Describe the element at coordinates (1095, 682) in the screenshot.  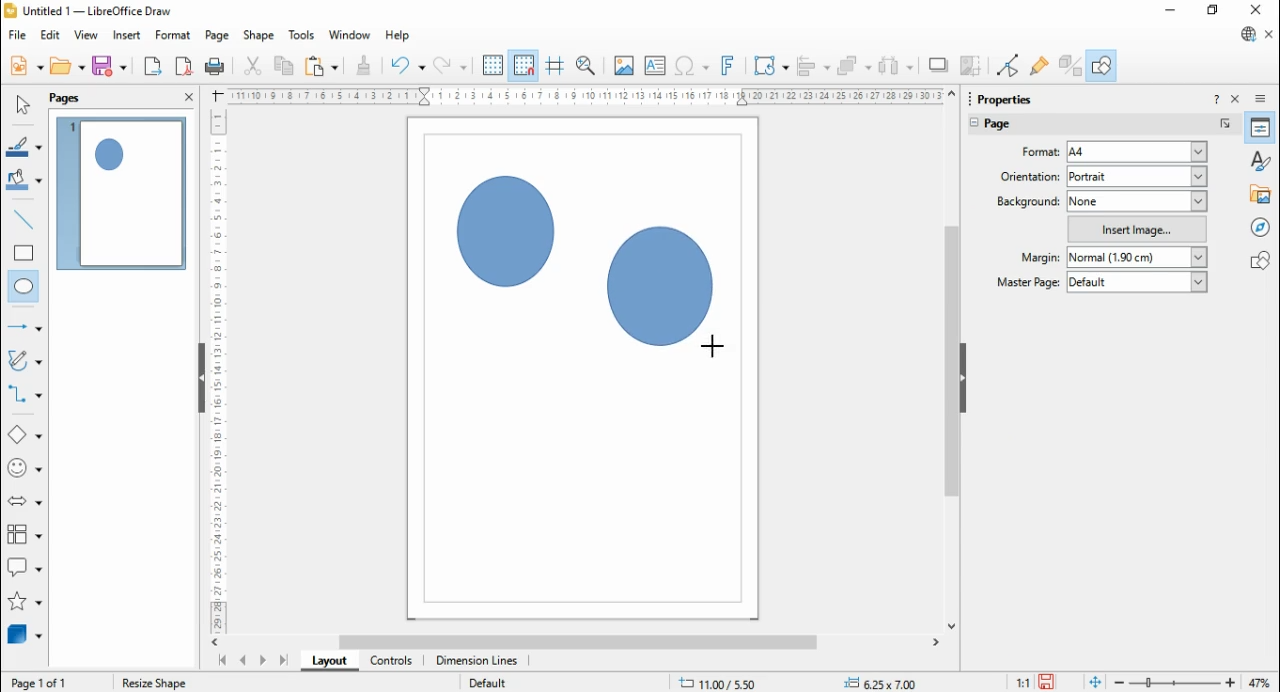
I see `fir page to current window` at that location.